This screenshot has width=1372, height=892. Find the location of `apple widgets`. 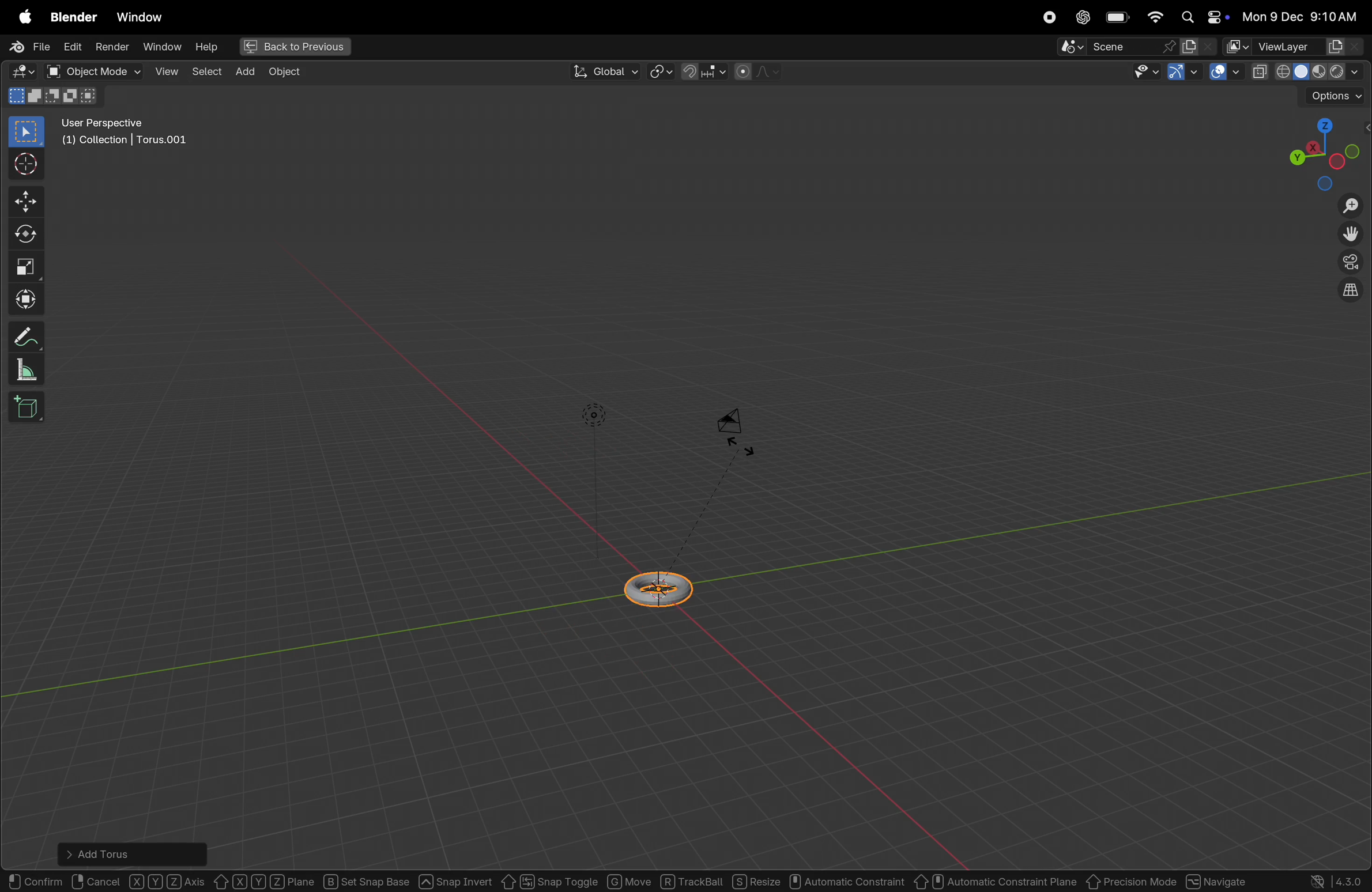

apple widgets is located at coordinates (1203, 18).